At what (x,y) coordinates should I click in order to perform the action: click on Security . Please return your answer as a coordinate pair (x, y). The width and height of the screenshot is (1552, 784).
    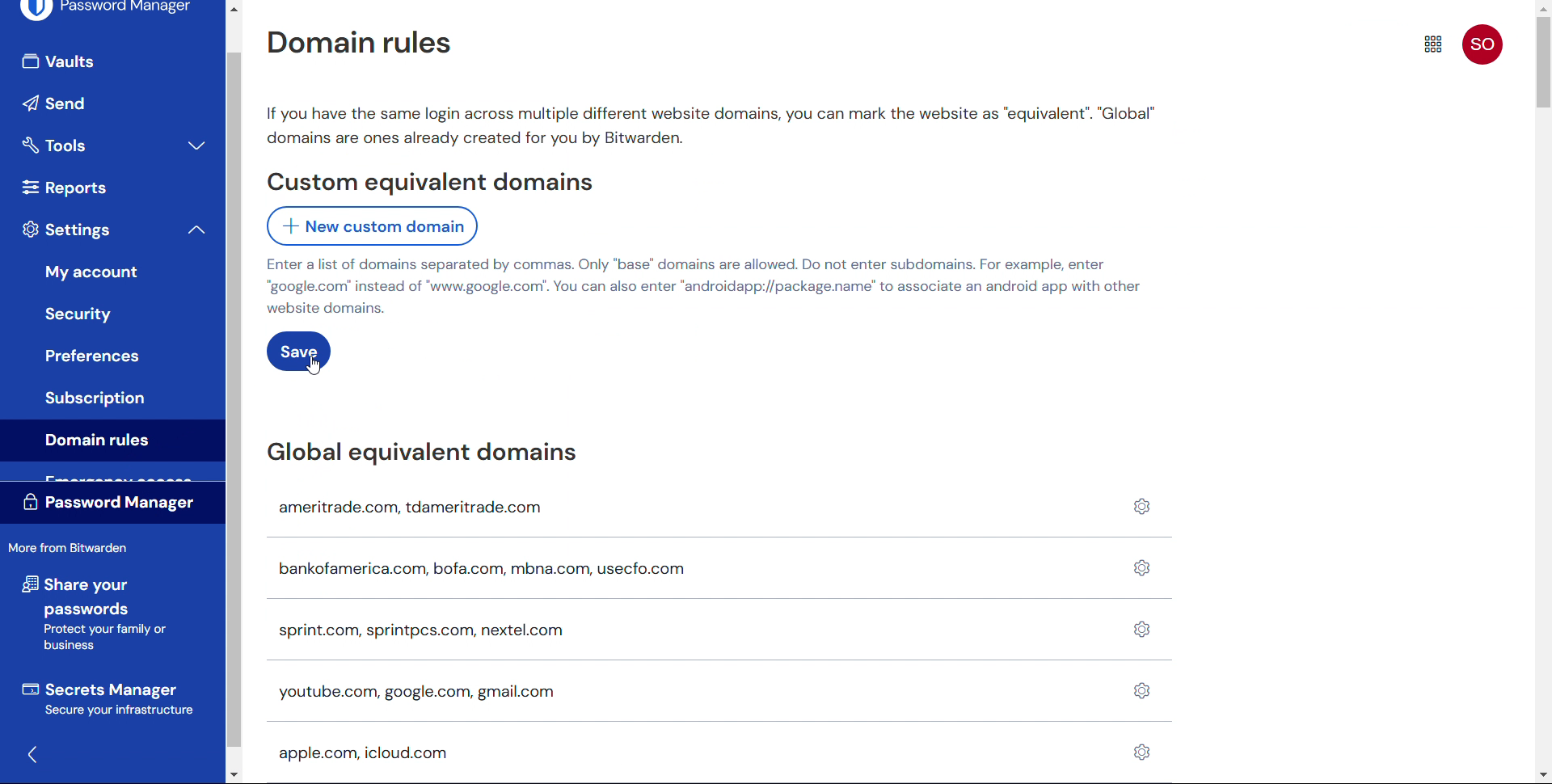
    Looking at the image, I should click on (84, 313).